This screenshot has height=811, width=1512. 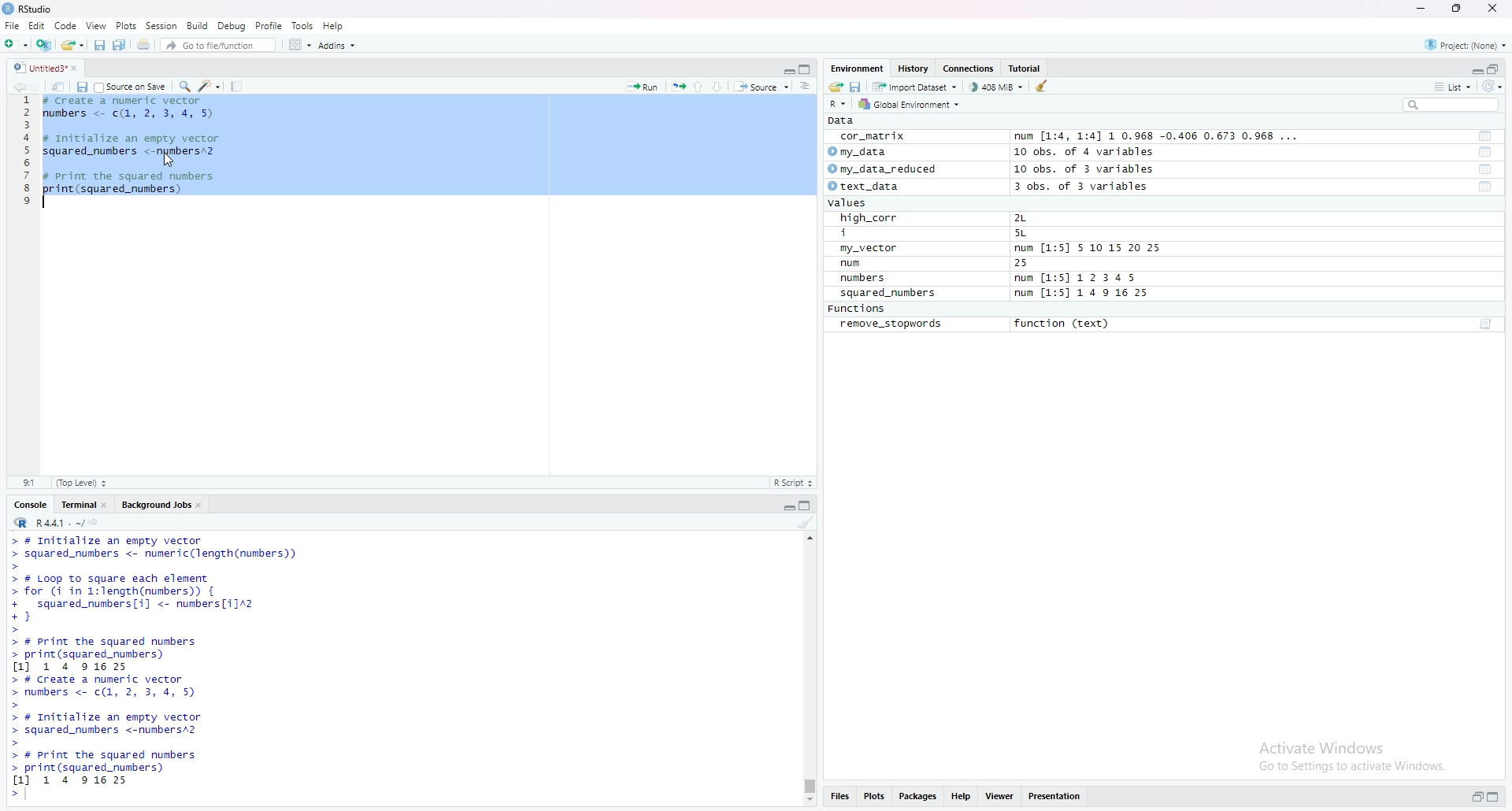 What do you see at coordinates (1043, 86) in the screenshot?
I see `clear objects` at bounding box center [1043, 86].